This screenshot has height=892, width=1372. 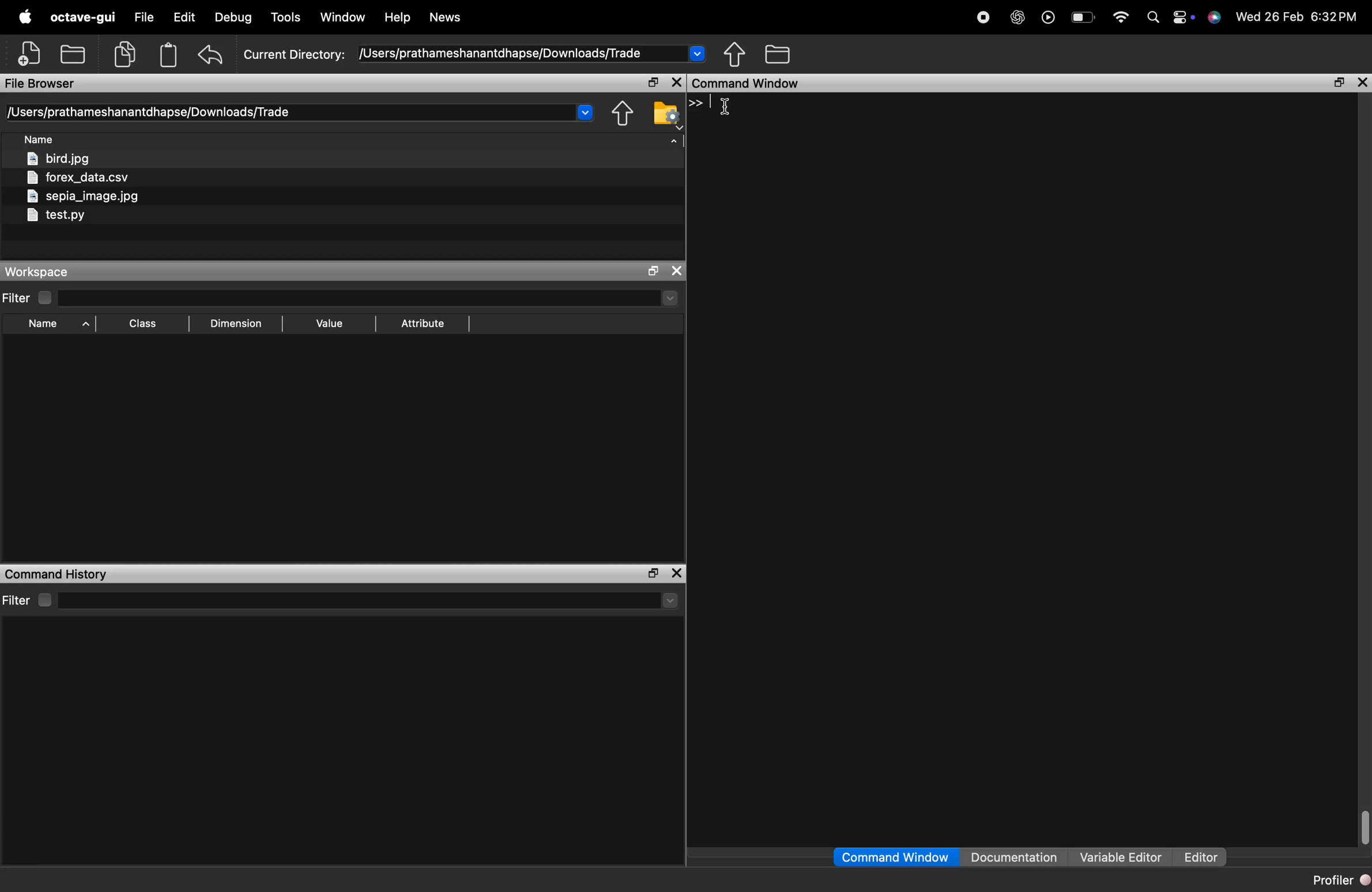 I want to click on attribute , so click(x=426, y=324).